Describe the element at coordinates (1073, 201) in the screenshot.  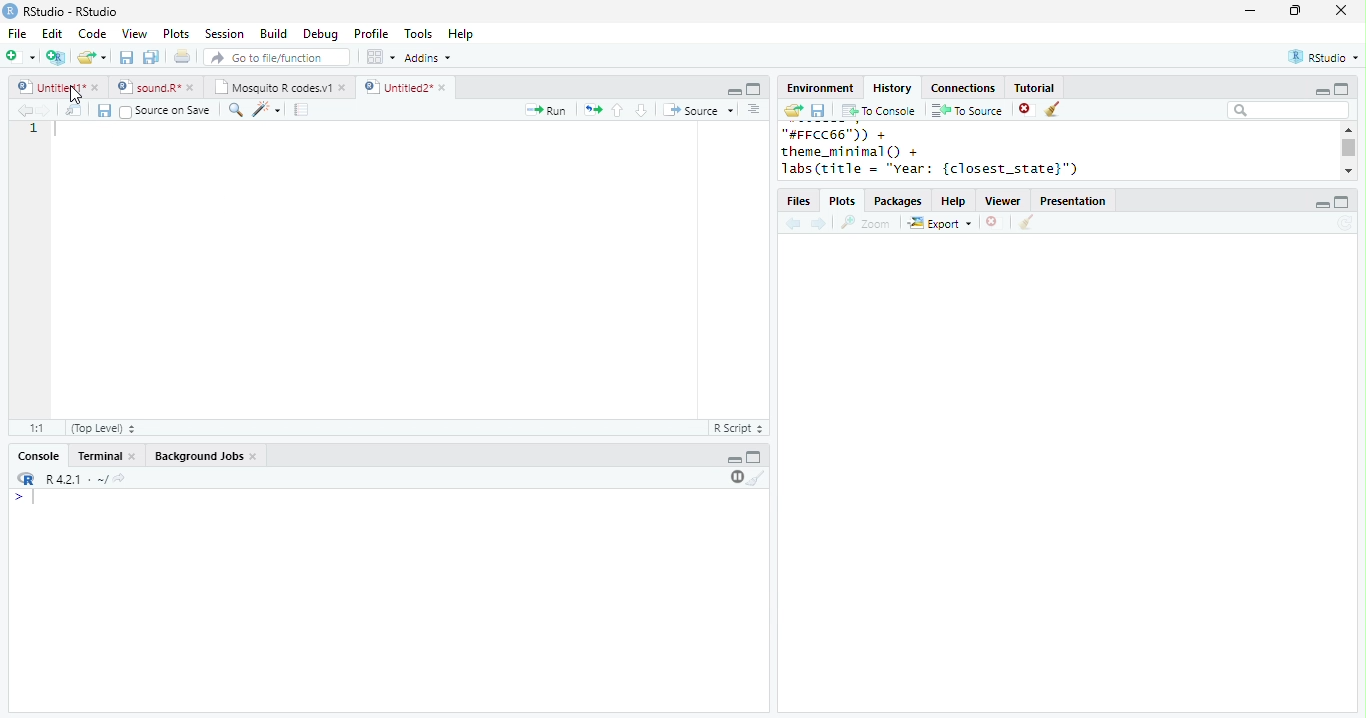
I see `Presentation` at that location.